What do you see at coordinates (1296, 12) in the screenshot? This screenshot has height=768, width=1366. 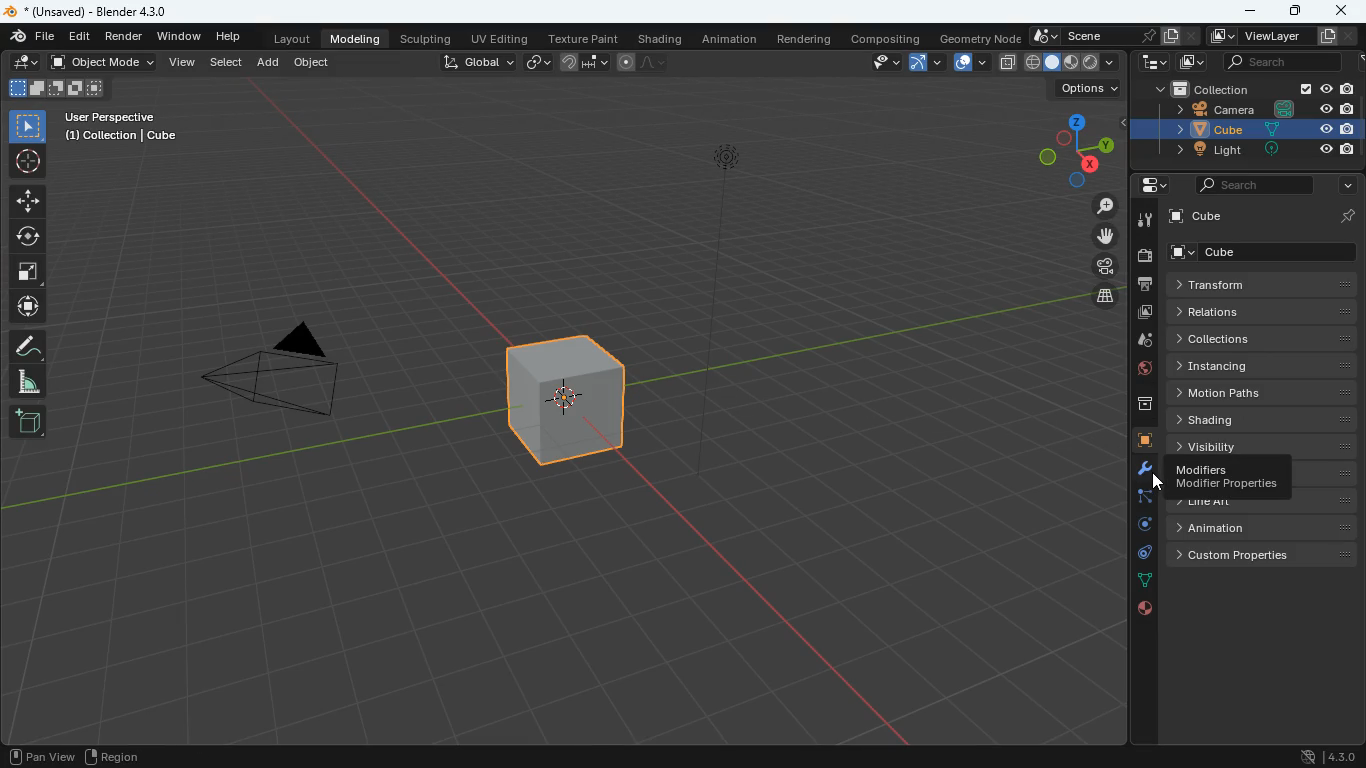 I see `maximize` at bounding box center [1296, 12].